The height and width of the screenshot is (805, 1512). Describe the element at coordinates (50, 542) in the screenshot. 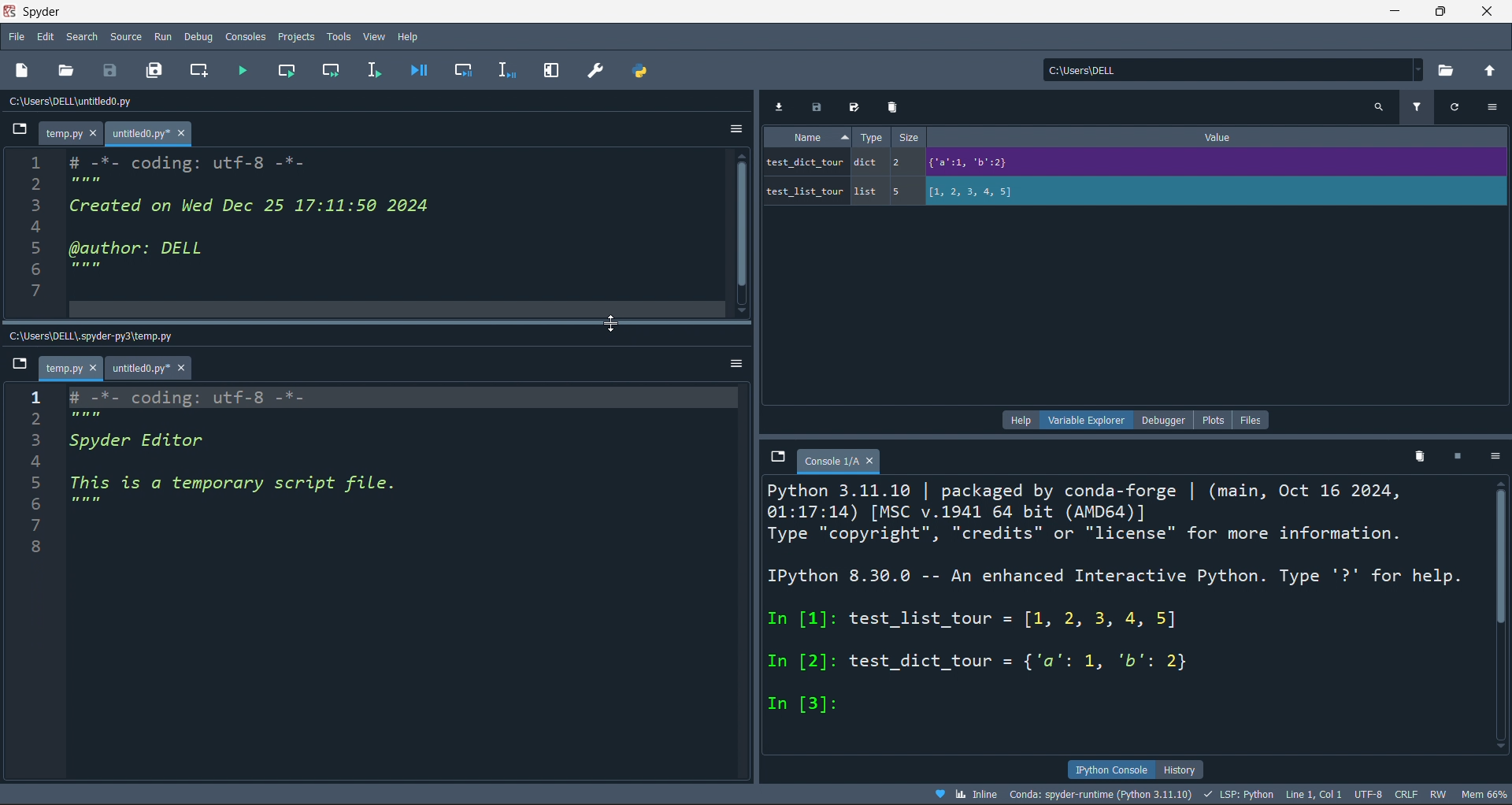

I see `8` at that location.